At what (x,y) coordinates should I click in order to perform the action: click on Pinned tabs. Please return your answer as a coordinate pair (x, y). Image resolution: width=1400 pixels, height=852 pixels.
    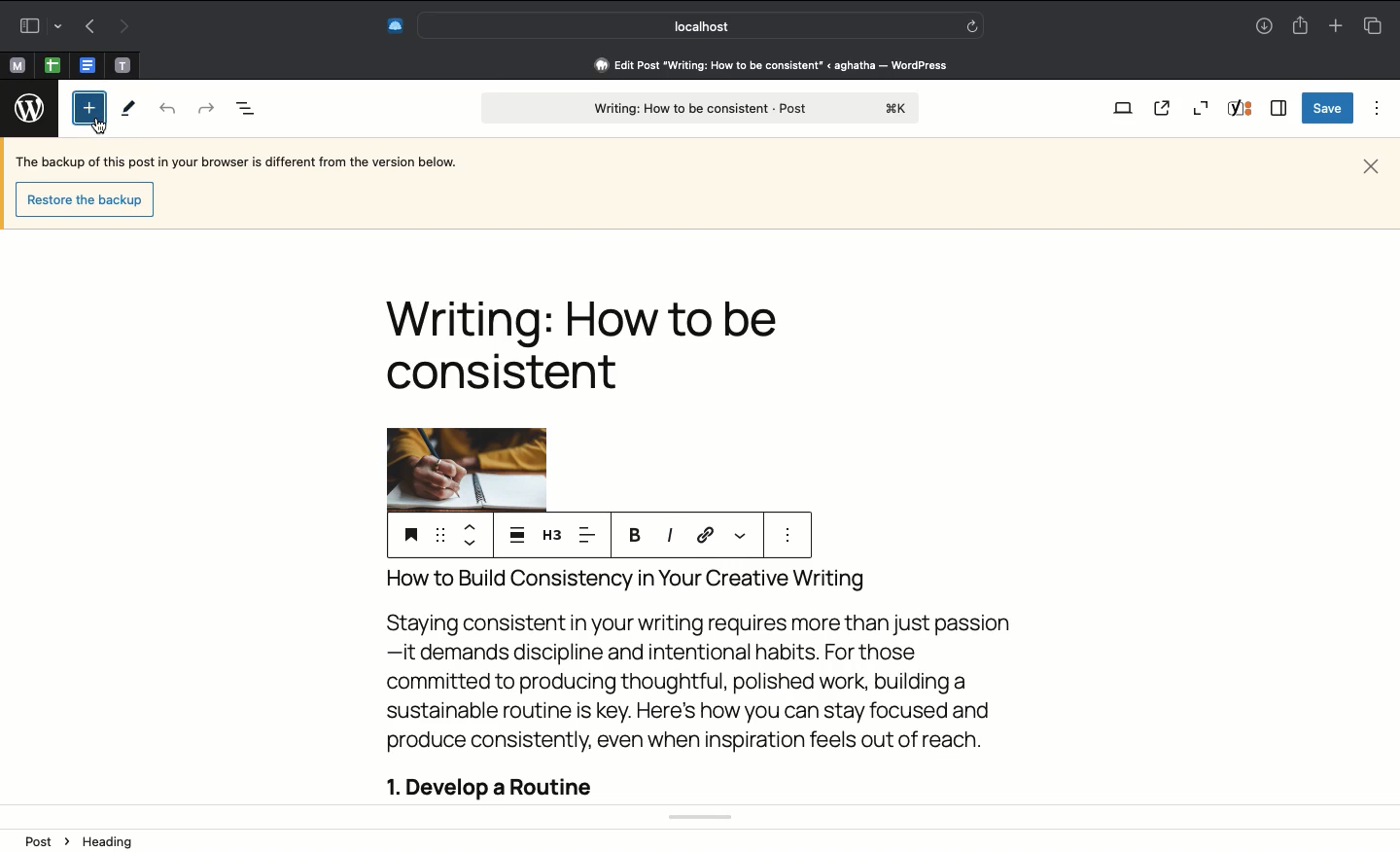
    Looking at the image, I should click on (18, 64).